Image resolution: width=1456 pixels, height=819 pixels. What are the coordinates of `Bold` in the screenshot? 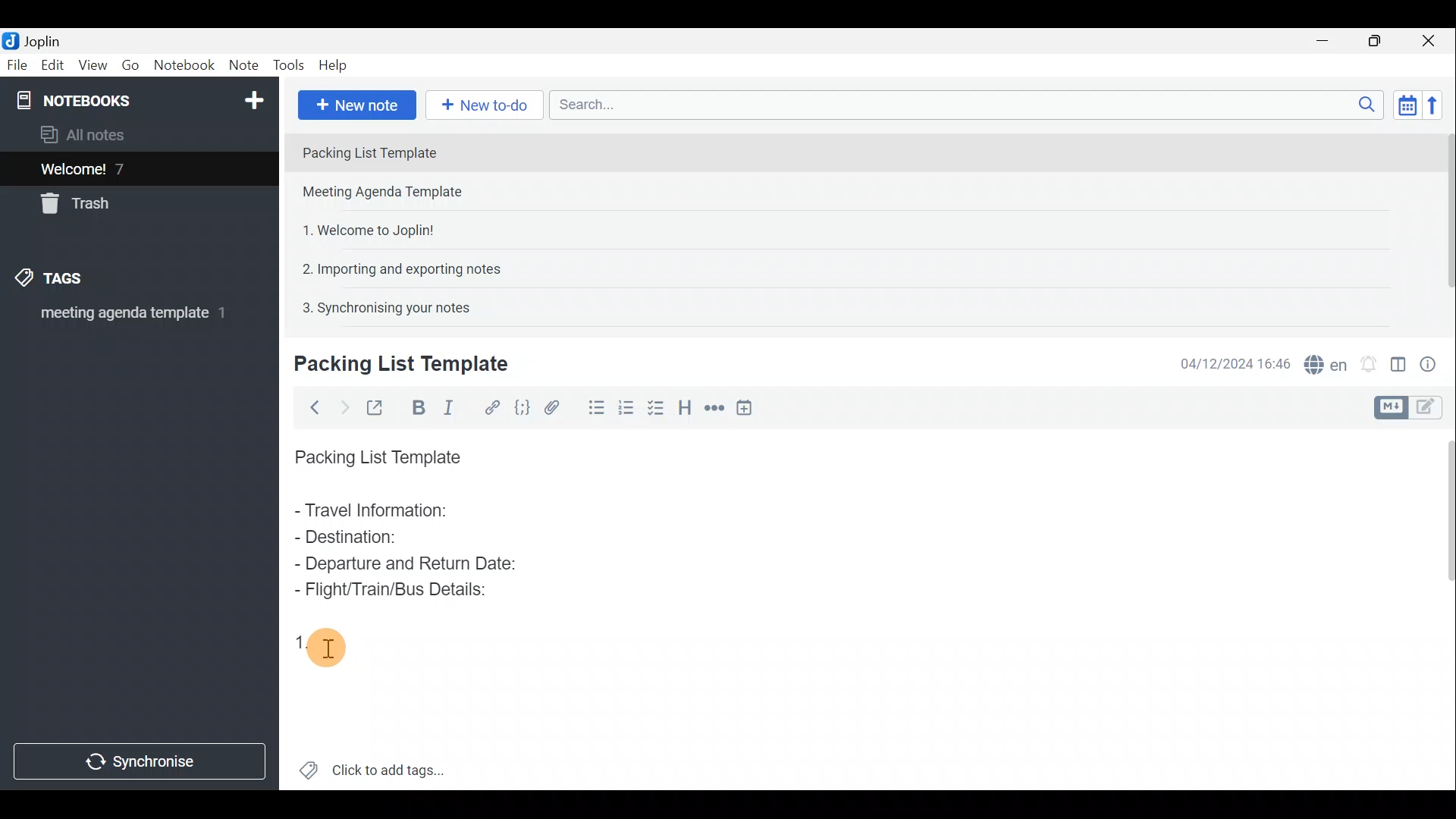 It's located at (416, 406).